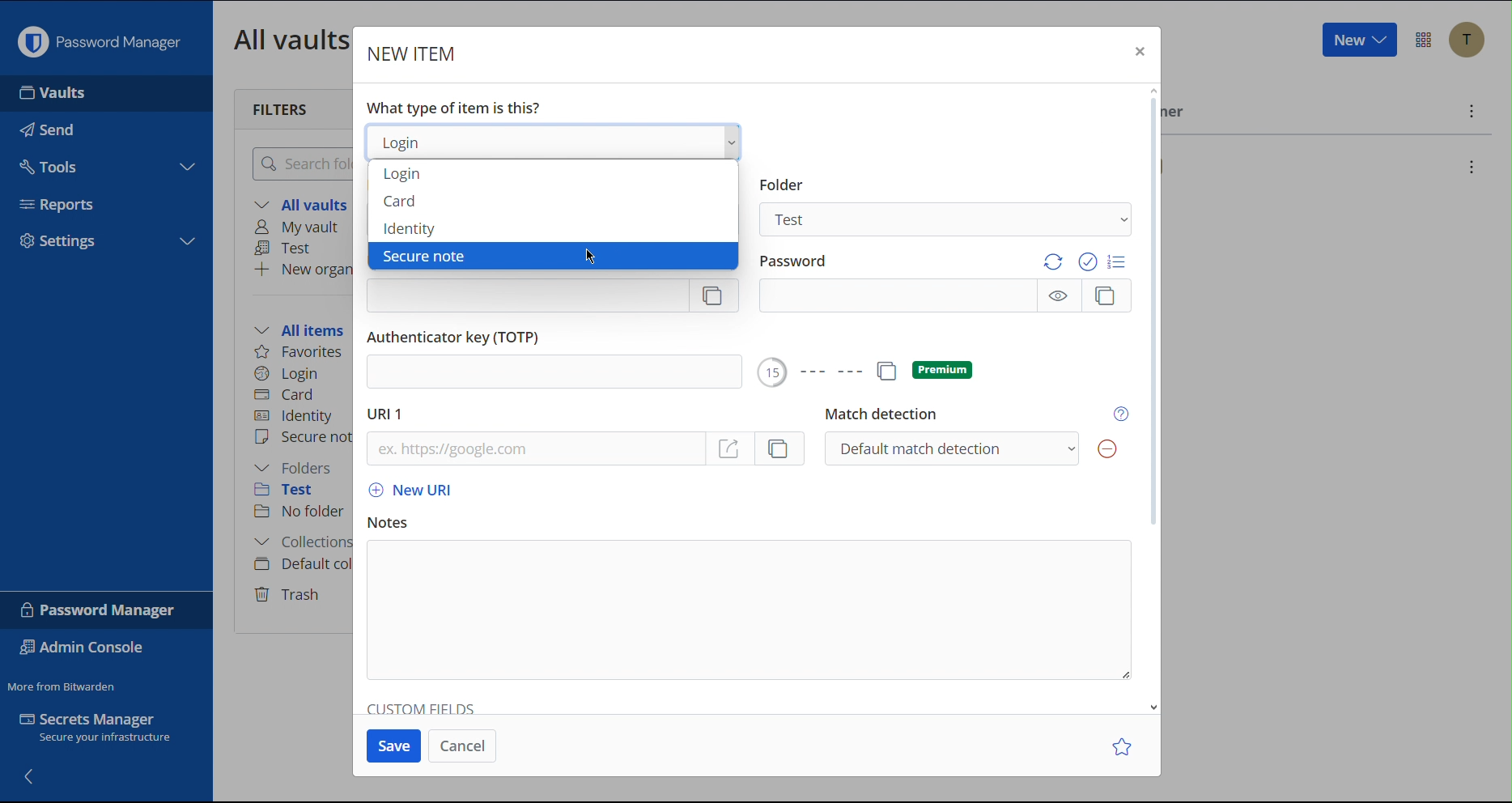  What do you see at coordinates (1137, 53) in the screenshot?
I see `Close` at bounding box center [1137, 53].